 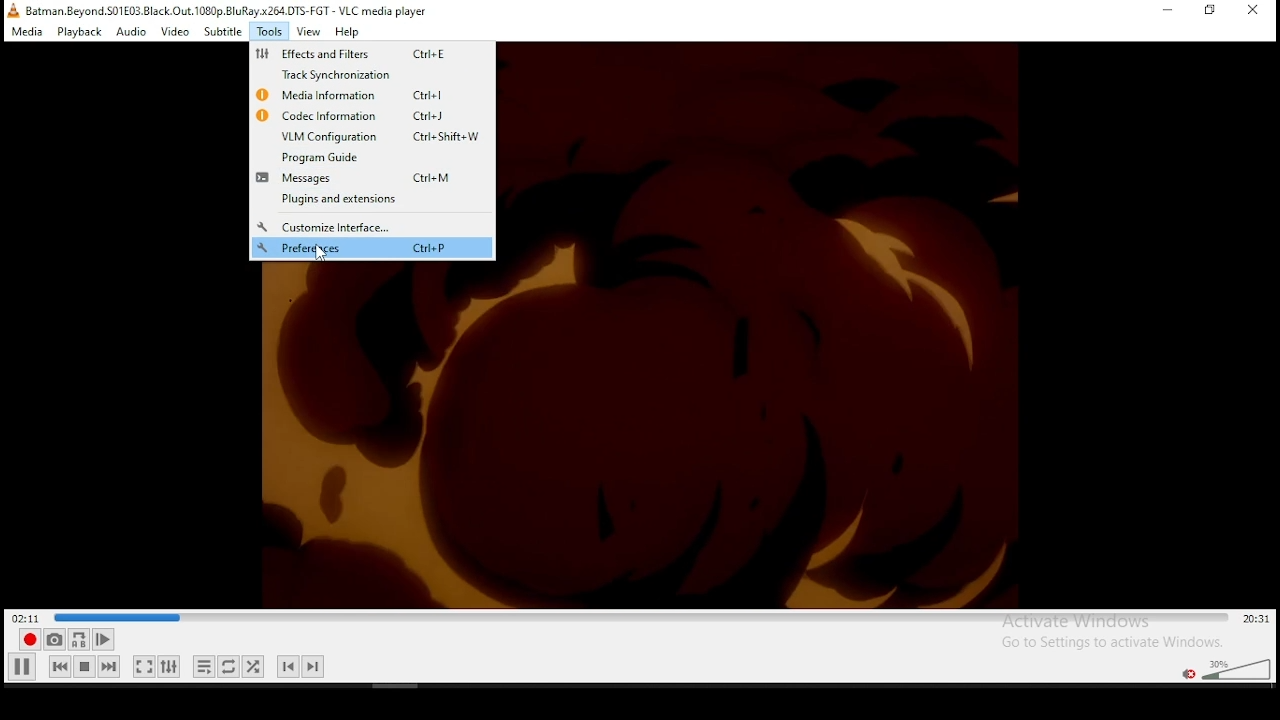 What do you see at coordinates (372, 248) in the screenshot?
I see `preferences` at bounding box center [372, 248].